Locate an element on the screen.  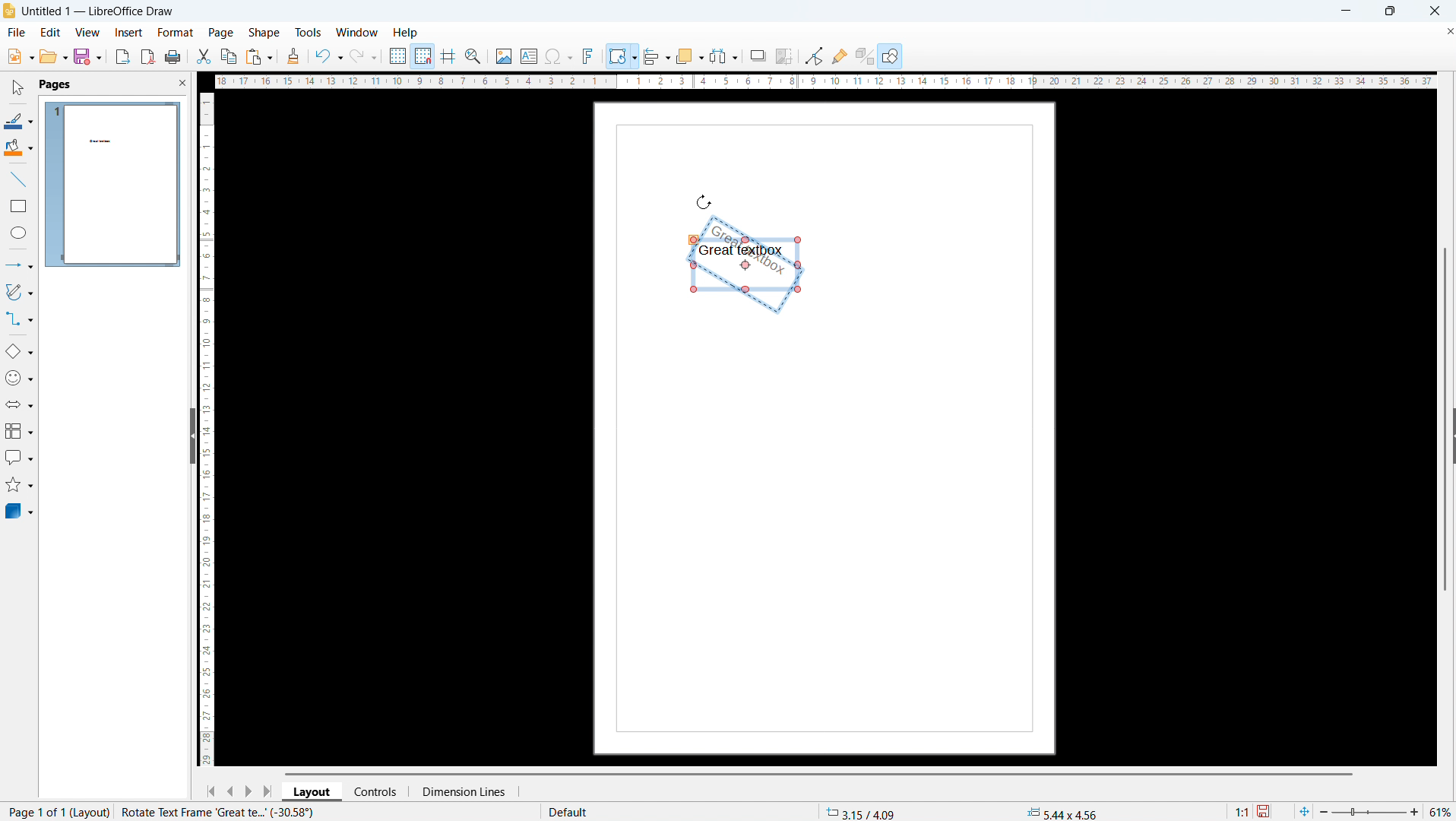
edit is located at coordinates (49, 32).